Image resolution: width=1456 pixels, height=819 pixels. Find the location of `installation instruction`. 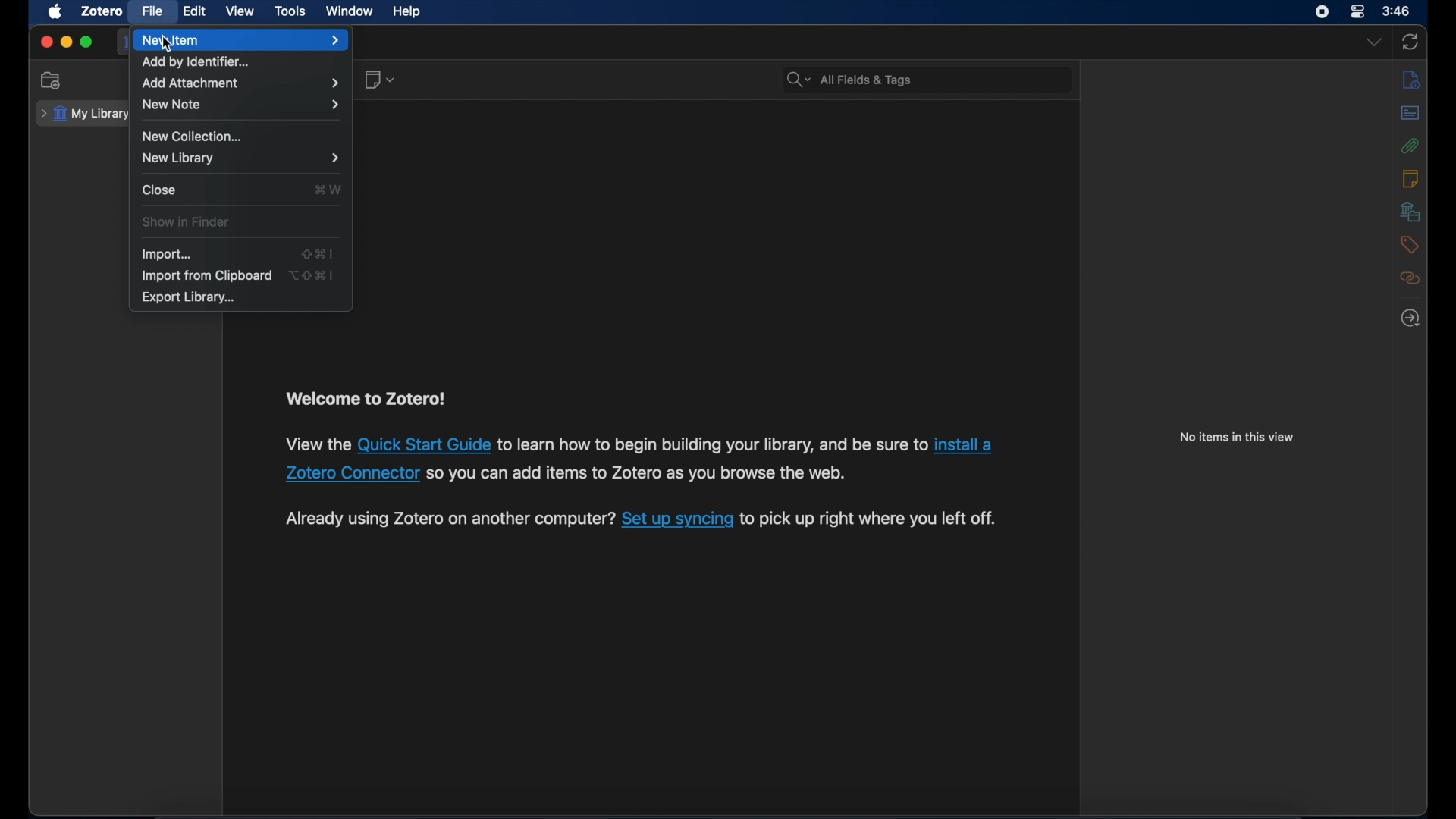

installation instruction is located at coordinates (639, 459).